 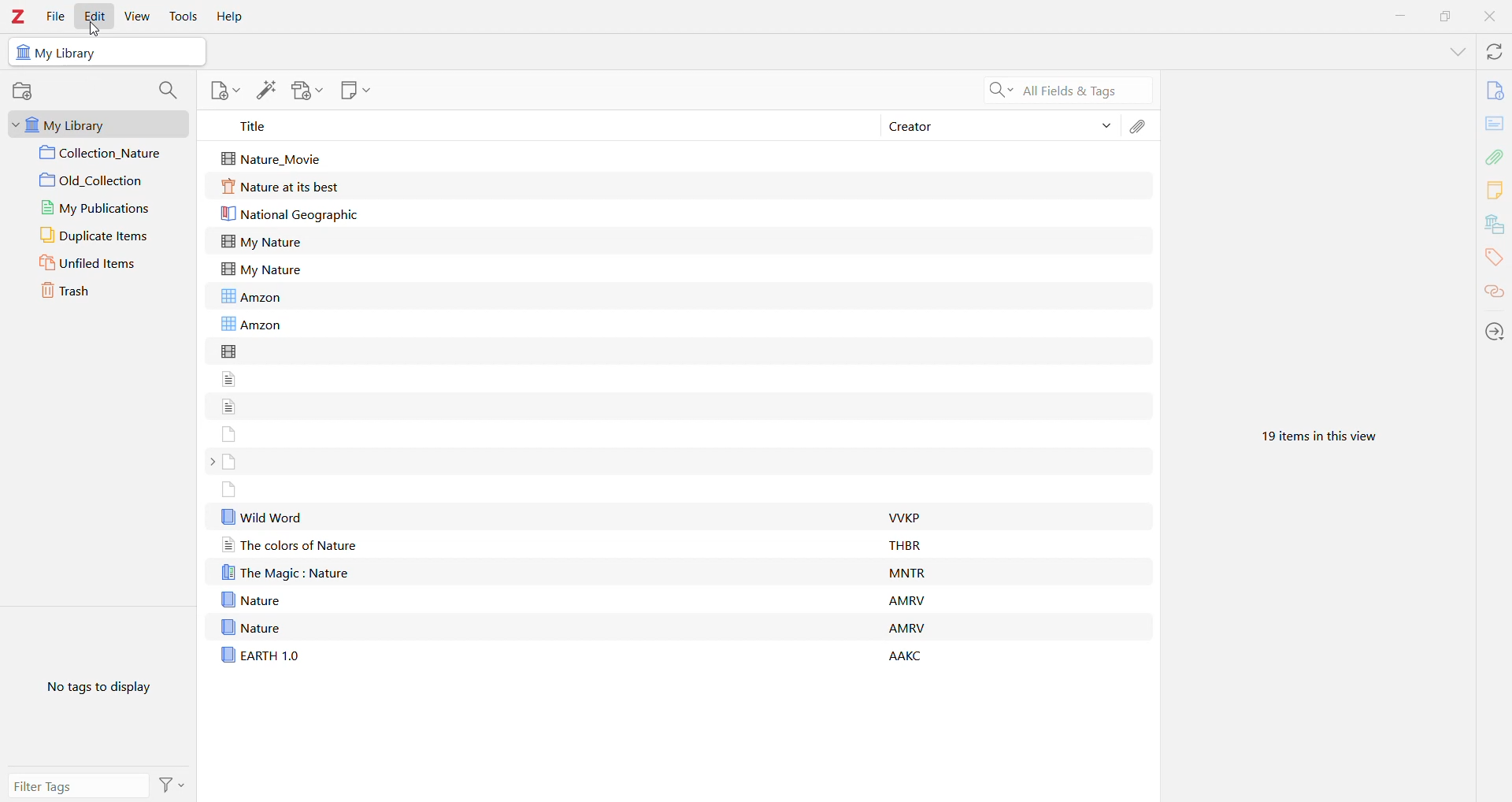 I want to click on EARTH 1.0, so click(x=260, y=654).